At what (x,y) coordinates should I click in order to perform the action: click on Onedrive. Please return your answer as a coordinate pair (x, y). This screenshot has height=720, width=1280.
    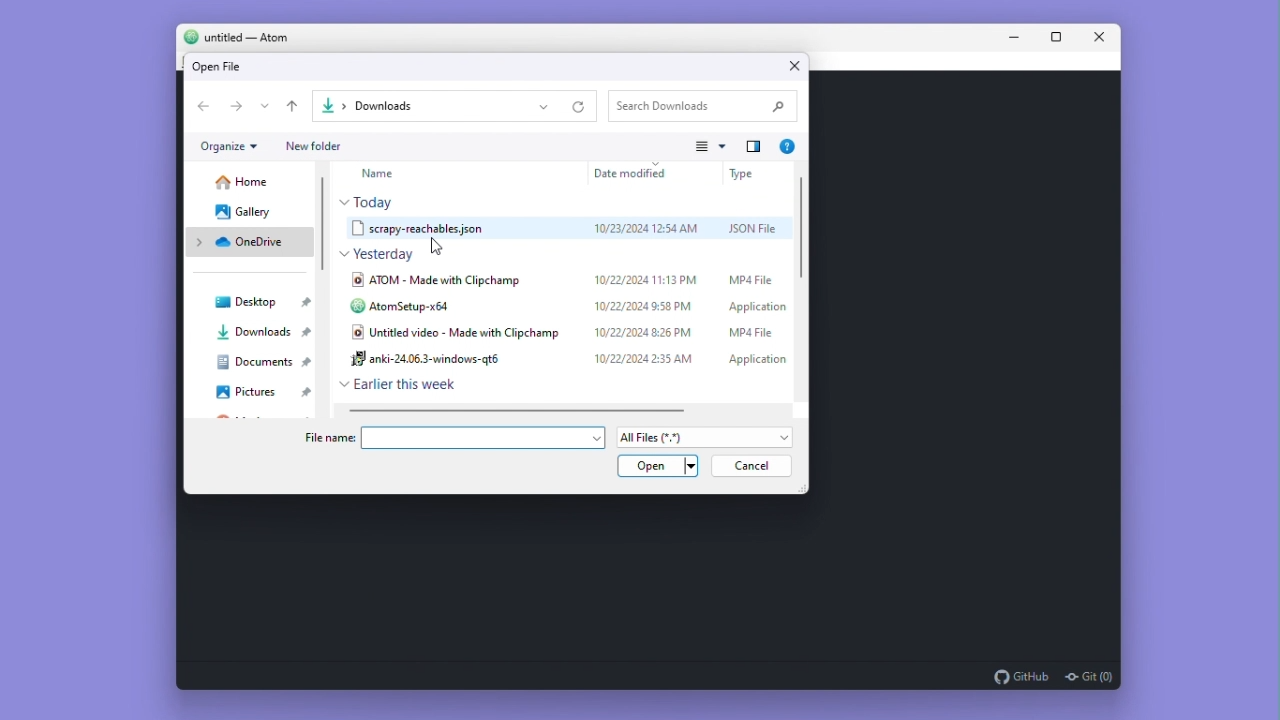
    Looking at the image, I should click on (238, 243).